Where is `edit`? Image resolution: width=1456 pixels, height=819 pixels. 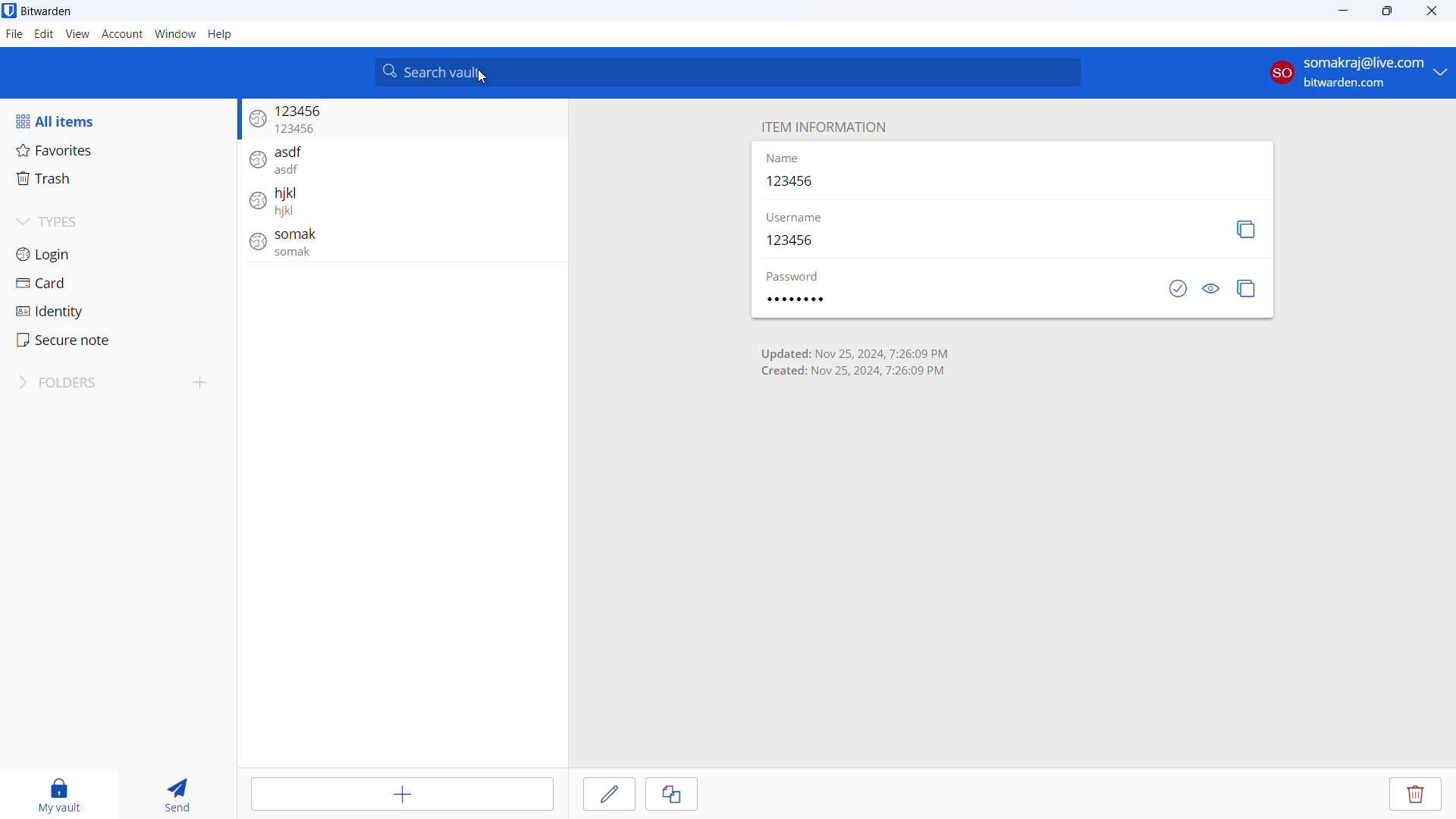 edit is located at coordinates (610, 793).